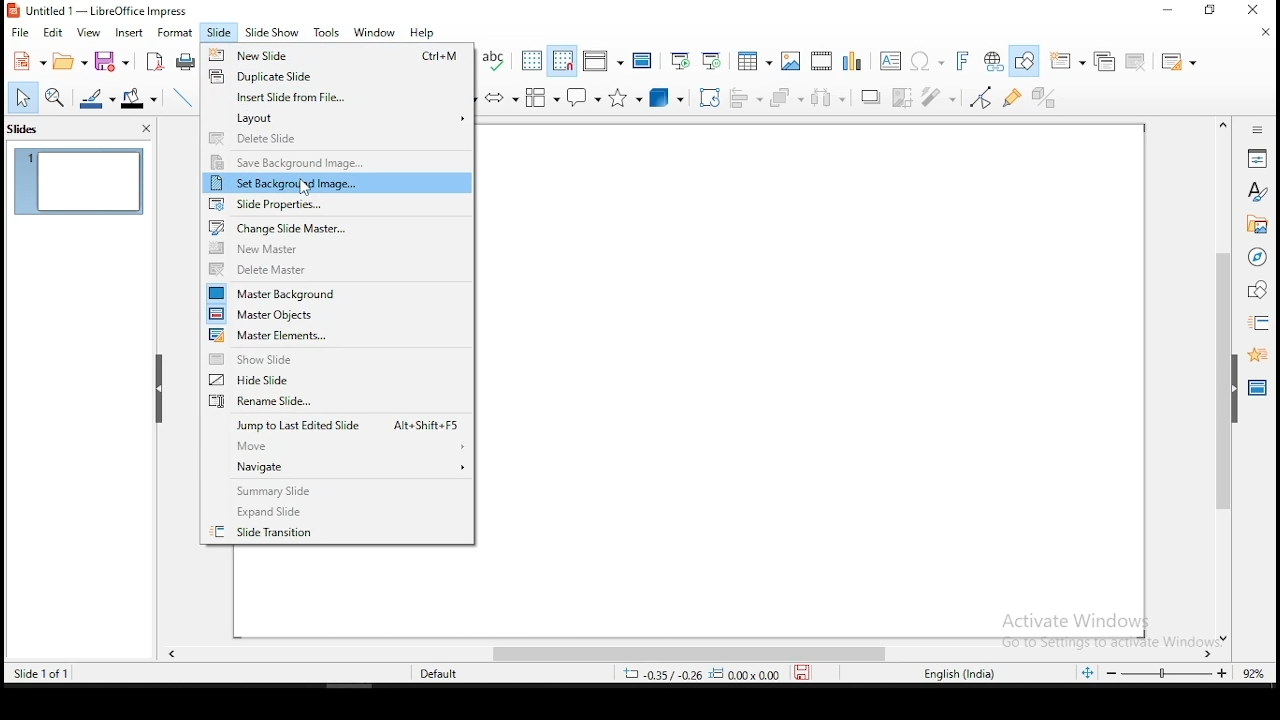 This screenshot has width=1280, height=720. What do you see at coordinates (334, 55) in the screenshot?
I see `new slide` at bounding box center [334, 55].